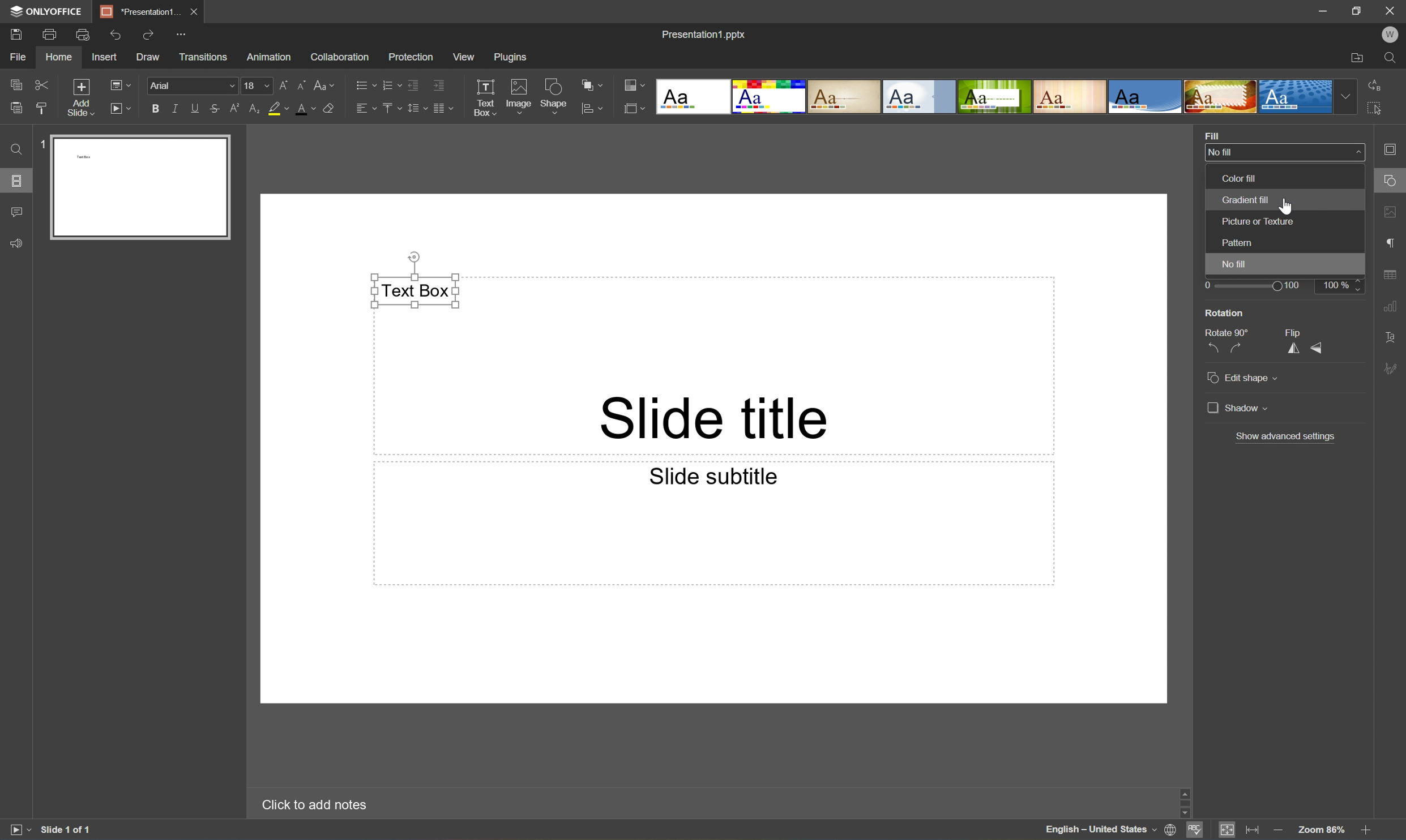 The image size is (1406, 840). I want to click on Paragraph settings, so click(1392, 245).